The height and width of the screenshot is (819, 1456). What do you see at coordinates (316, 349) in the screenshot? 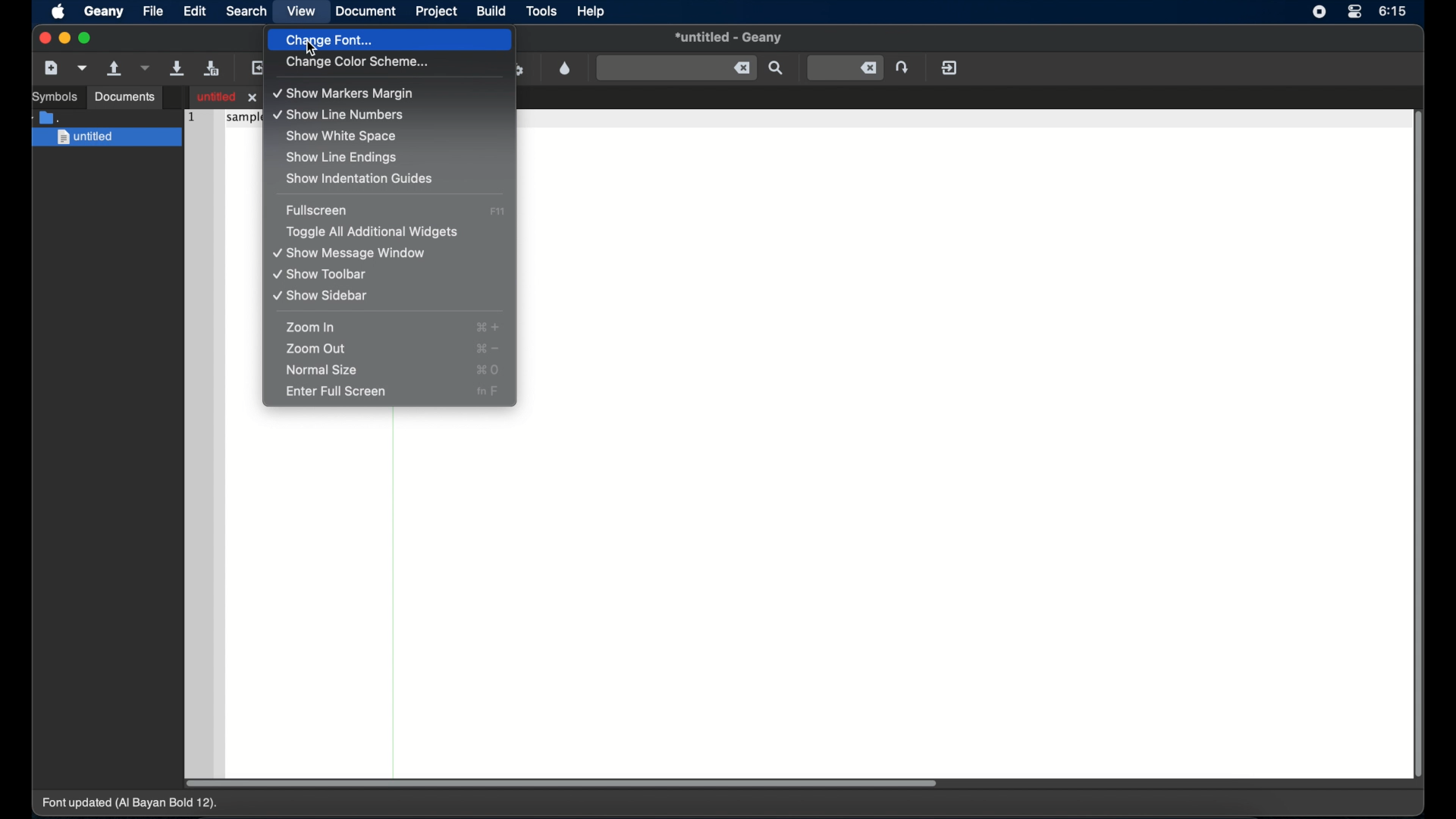
I see `zoom out` at bounding box center [316, 349].